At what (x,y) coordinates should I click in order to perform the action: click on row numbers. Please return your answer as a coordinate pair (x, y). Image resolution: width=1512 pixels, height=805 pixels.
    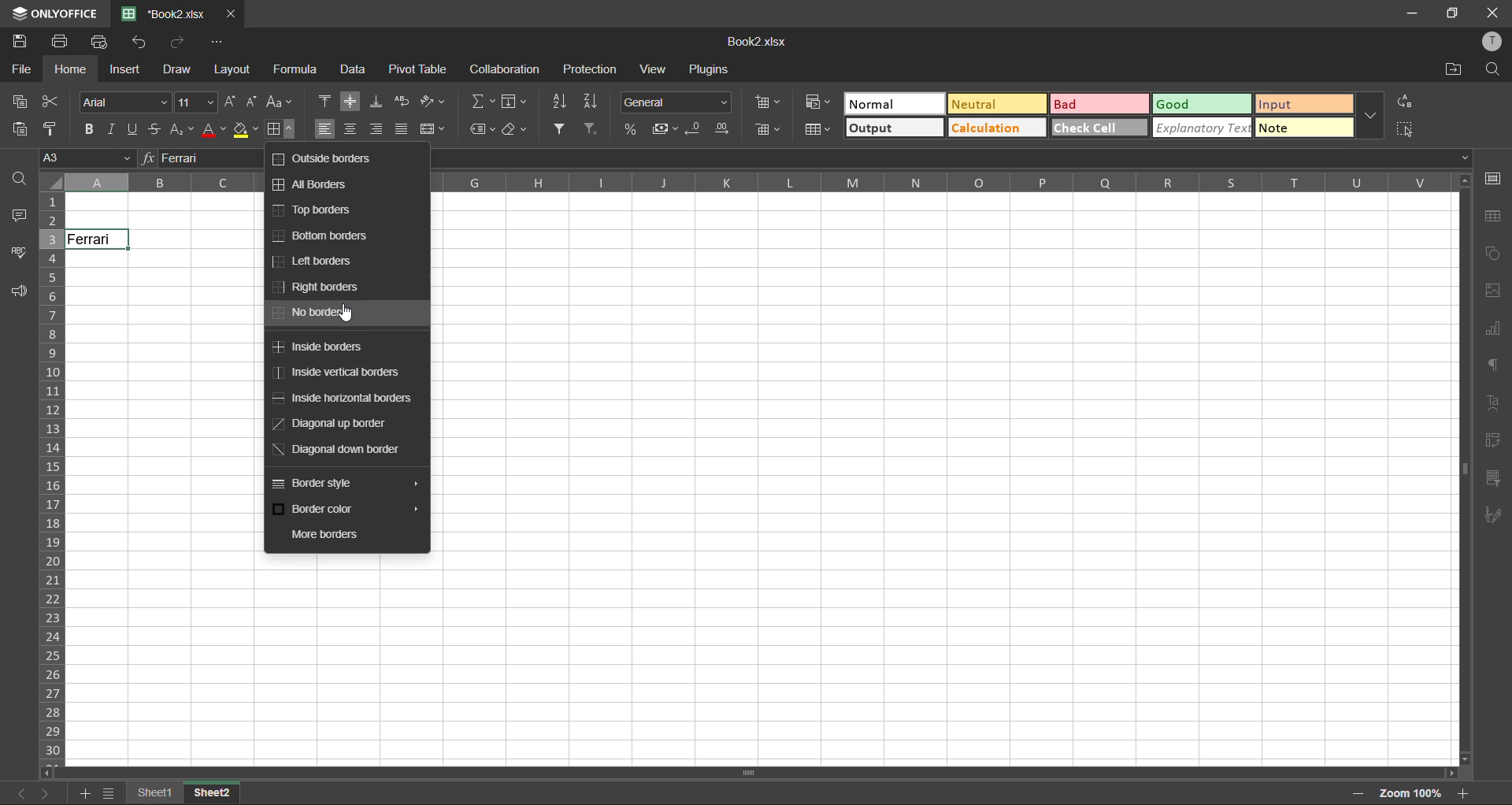
    Looking at the image, I should click on (52, 480).